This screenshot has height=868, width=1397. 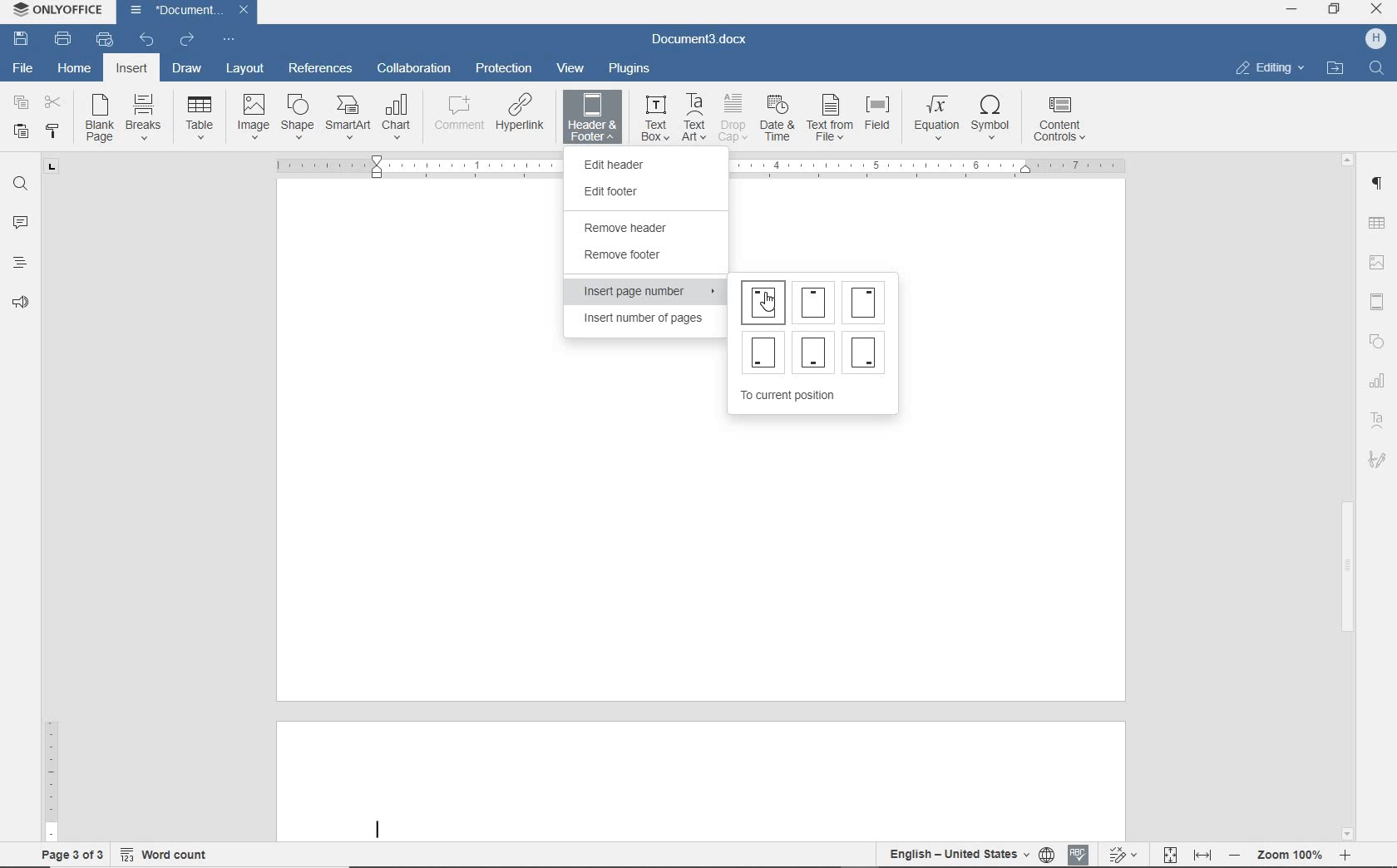 I want to click on TO CURRENT POSITION, so click(x=792, y=397).